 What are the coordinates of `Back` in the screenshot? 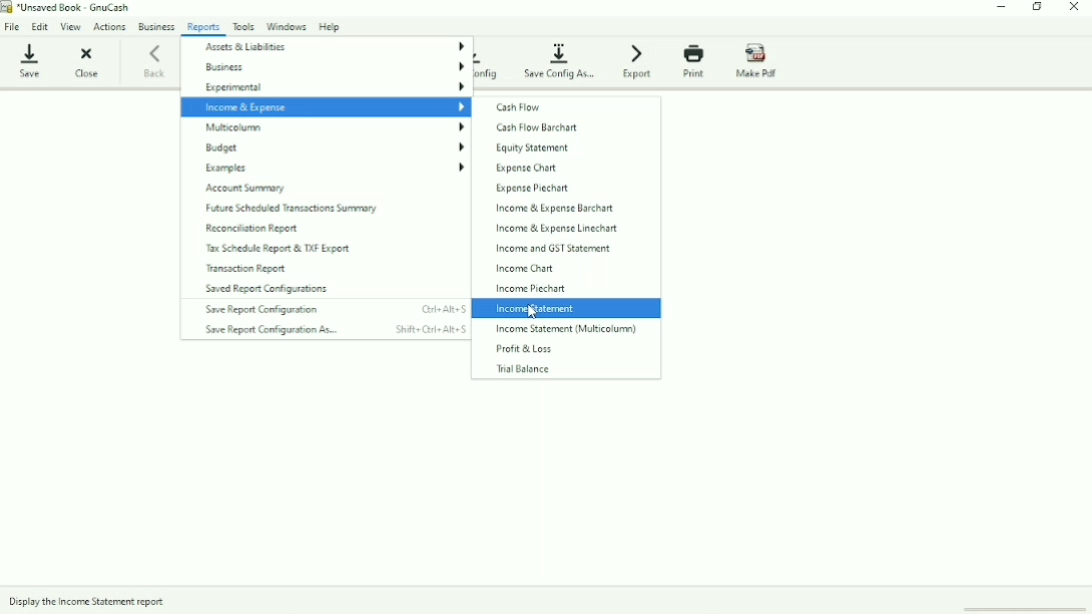 It's located at (157, 60).